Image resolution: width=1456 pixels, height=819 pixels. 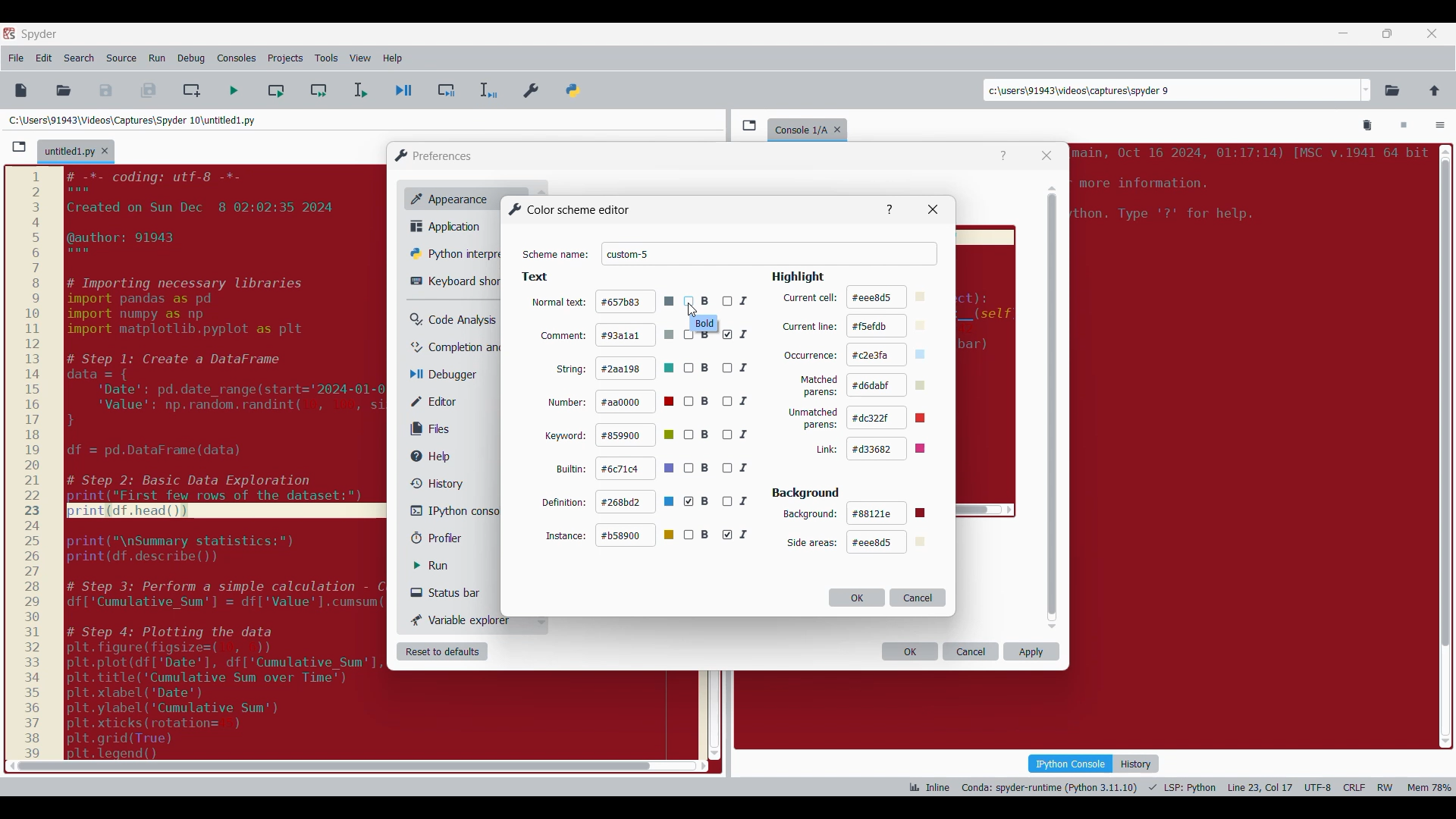 What do you see at coordinates (1046, 155) in the screenshot?
I see `Close` at bounding box center [1046, 155].